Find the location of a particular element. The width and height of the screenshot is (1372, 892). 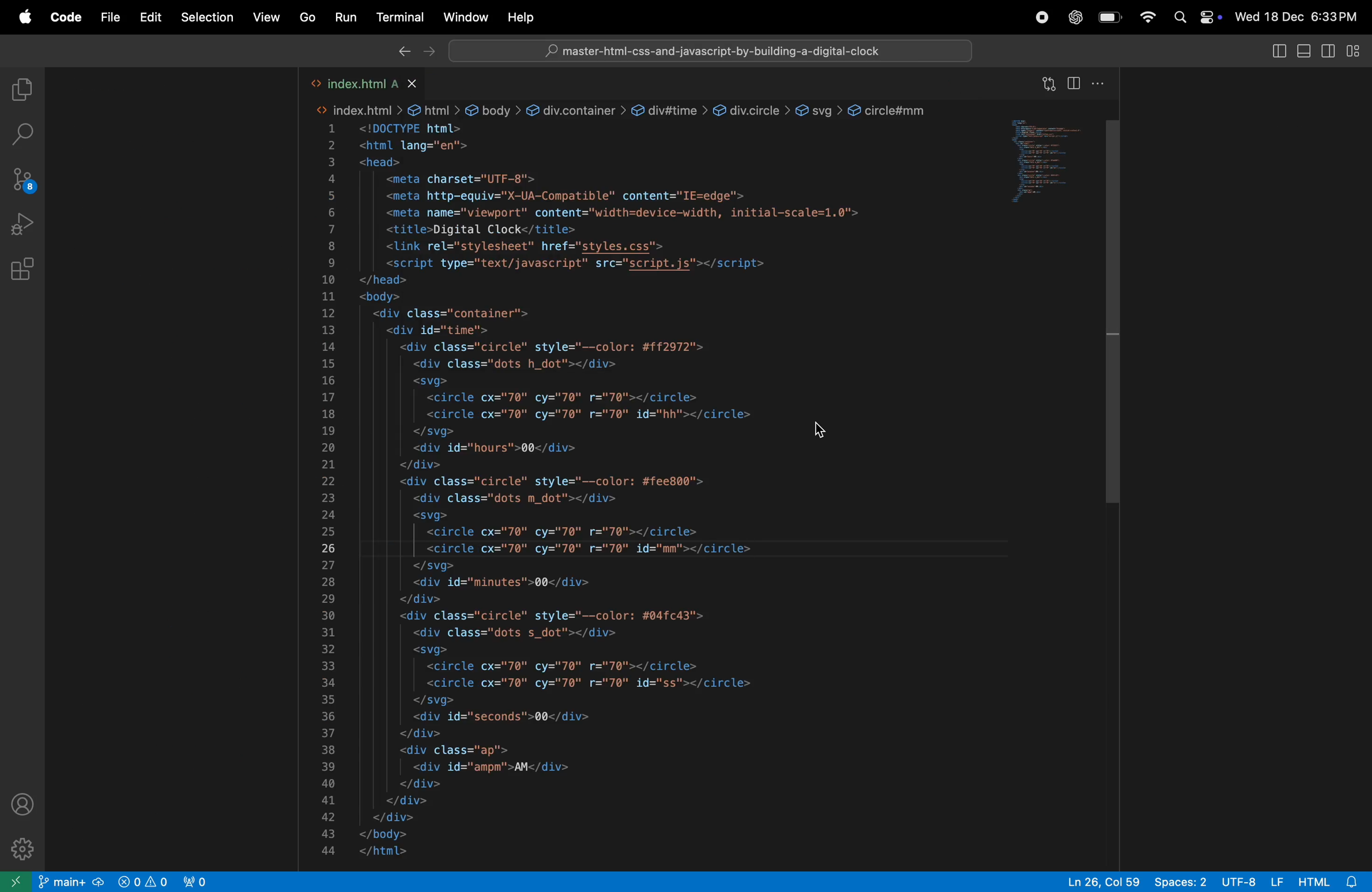

Control center is located at coordinates (1210, 16).